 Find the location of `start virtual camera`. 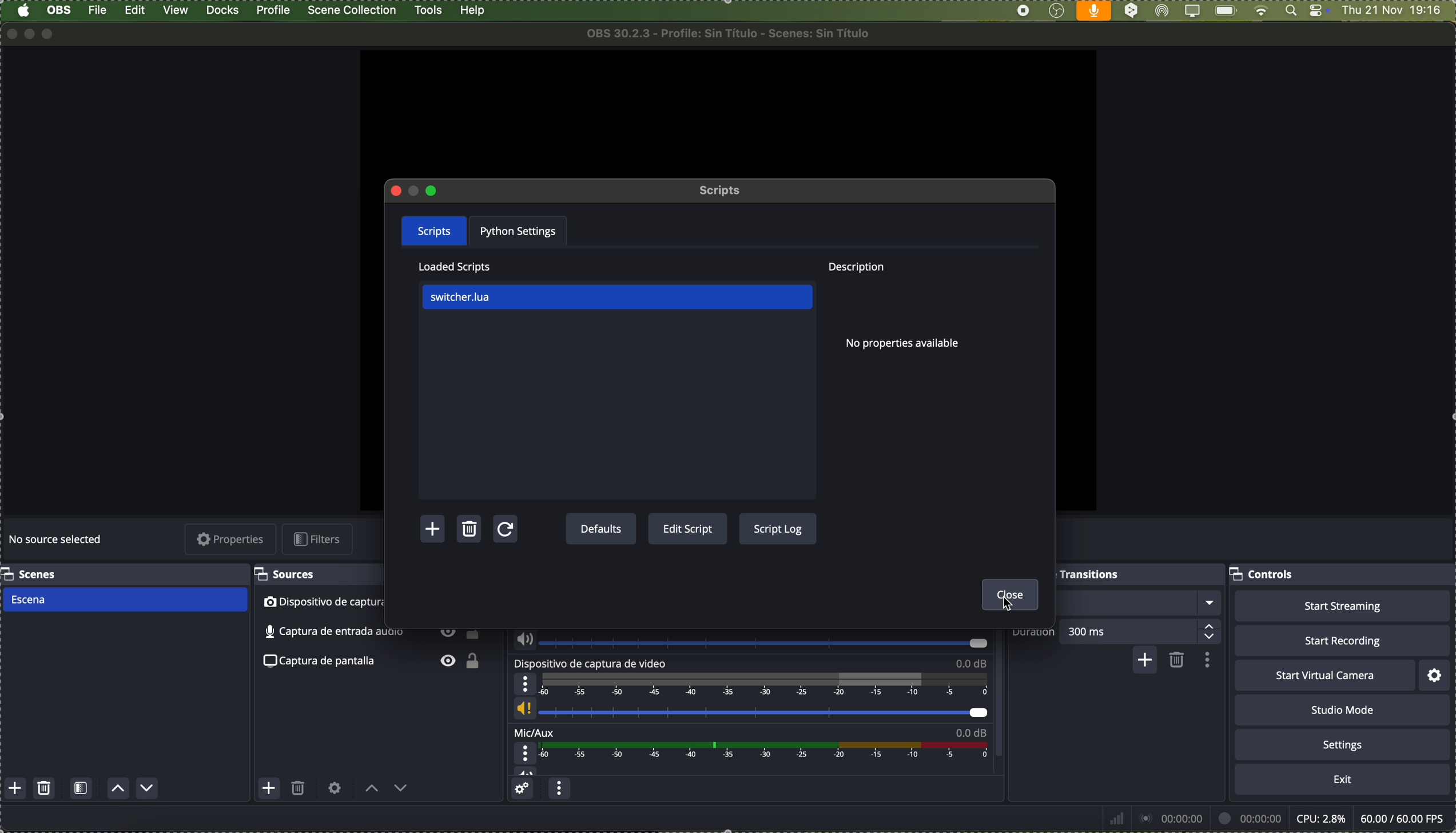

start virtual camera is located at coordinates (1324, 676).